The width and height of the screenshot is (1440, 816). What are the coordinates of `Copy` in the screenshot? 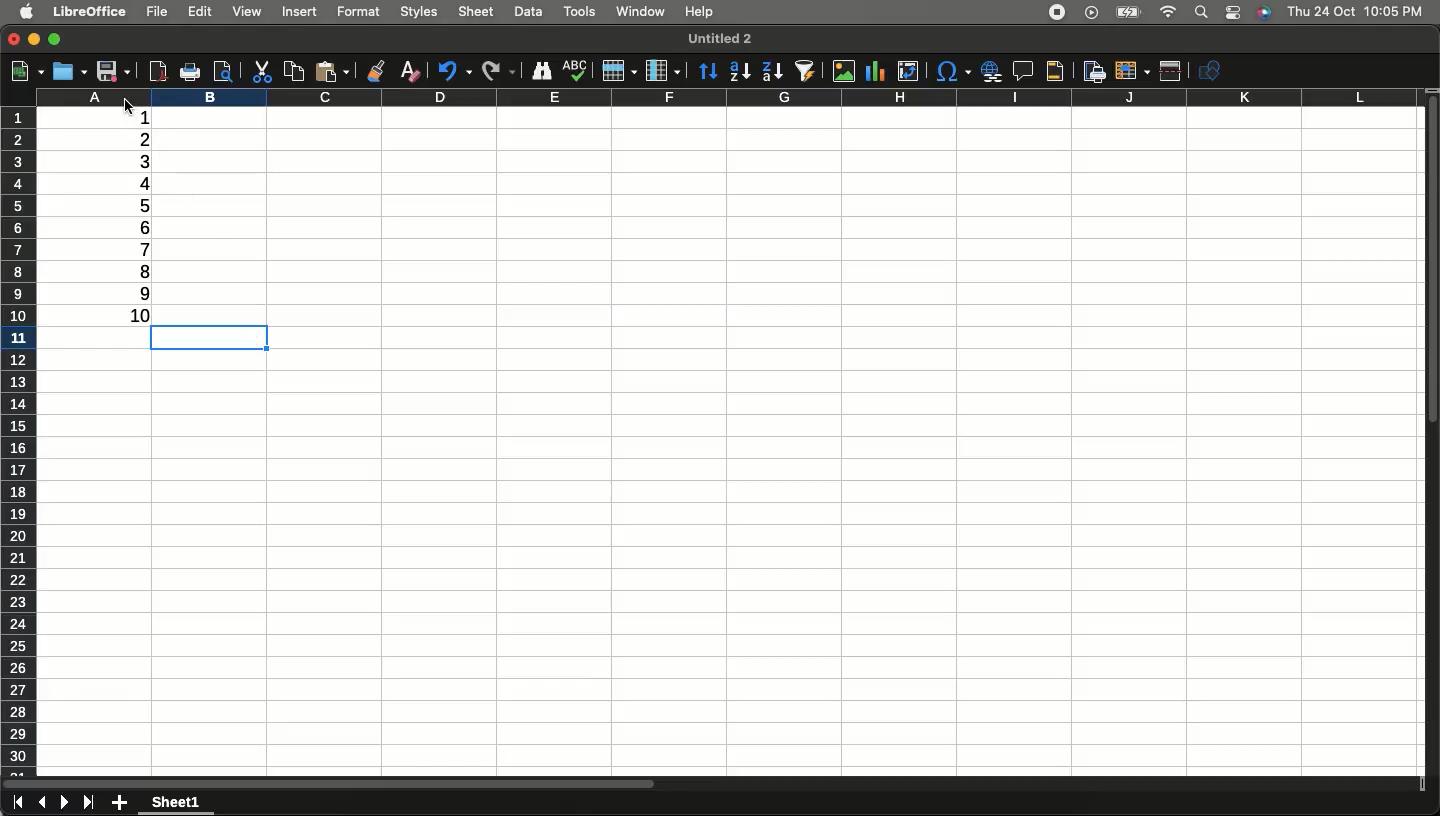 It's located at (291, 70).